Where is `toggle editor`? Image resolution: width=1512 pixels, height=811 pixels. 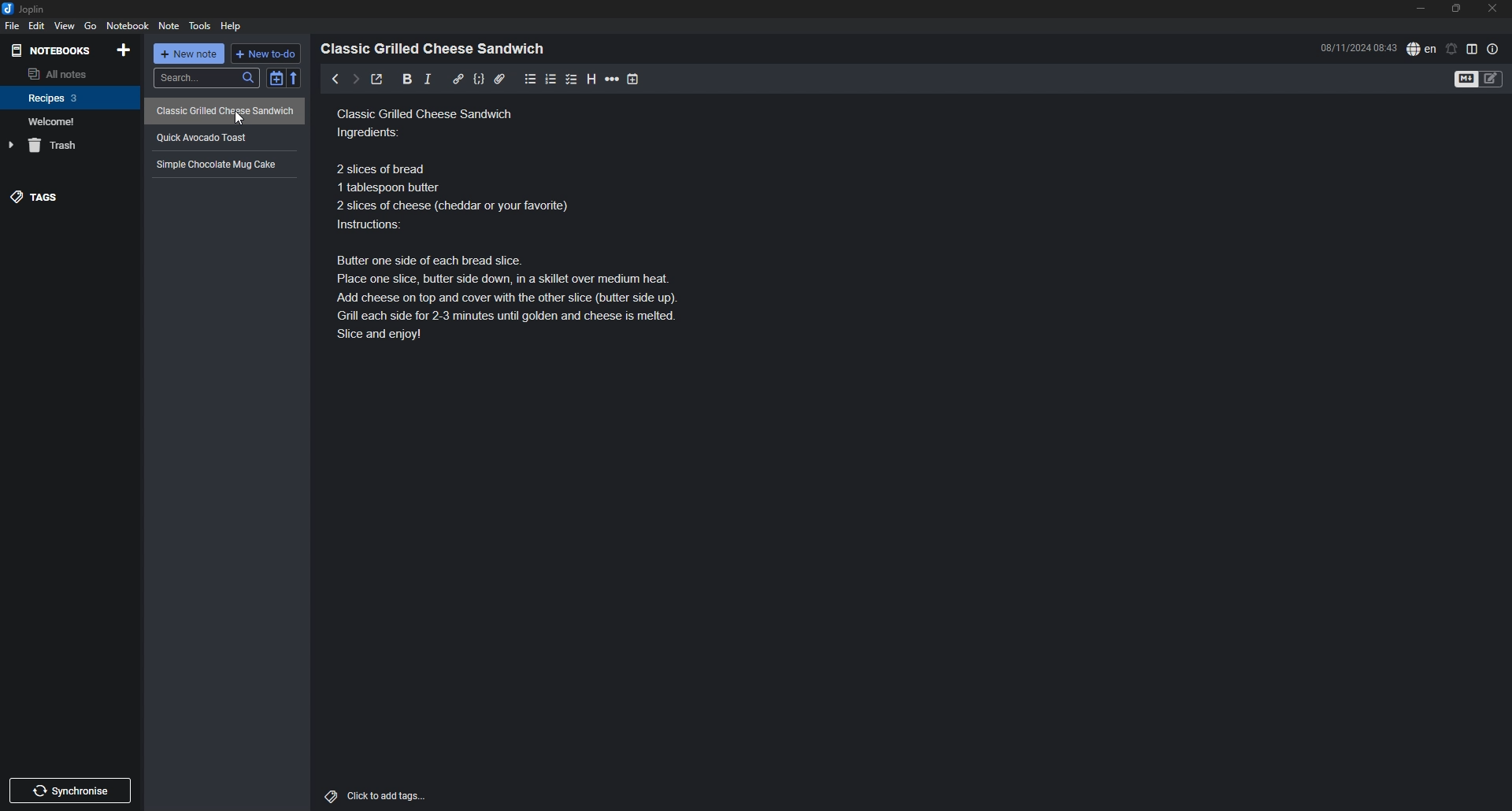 toggle editor is located at coordinates (1479, 80).